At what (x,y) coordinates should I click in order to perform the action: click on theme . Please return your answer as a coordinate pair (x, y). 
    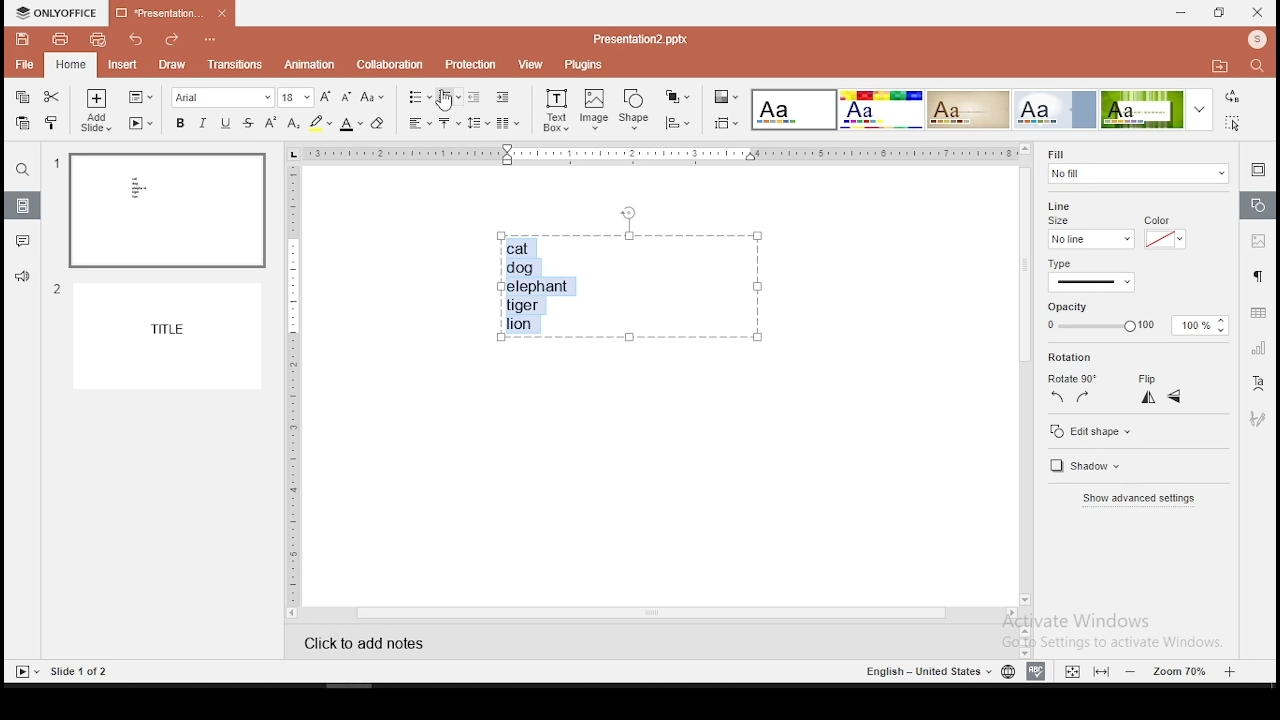
    Looking at the image, I should click on (1156, 110).